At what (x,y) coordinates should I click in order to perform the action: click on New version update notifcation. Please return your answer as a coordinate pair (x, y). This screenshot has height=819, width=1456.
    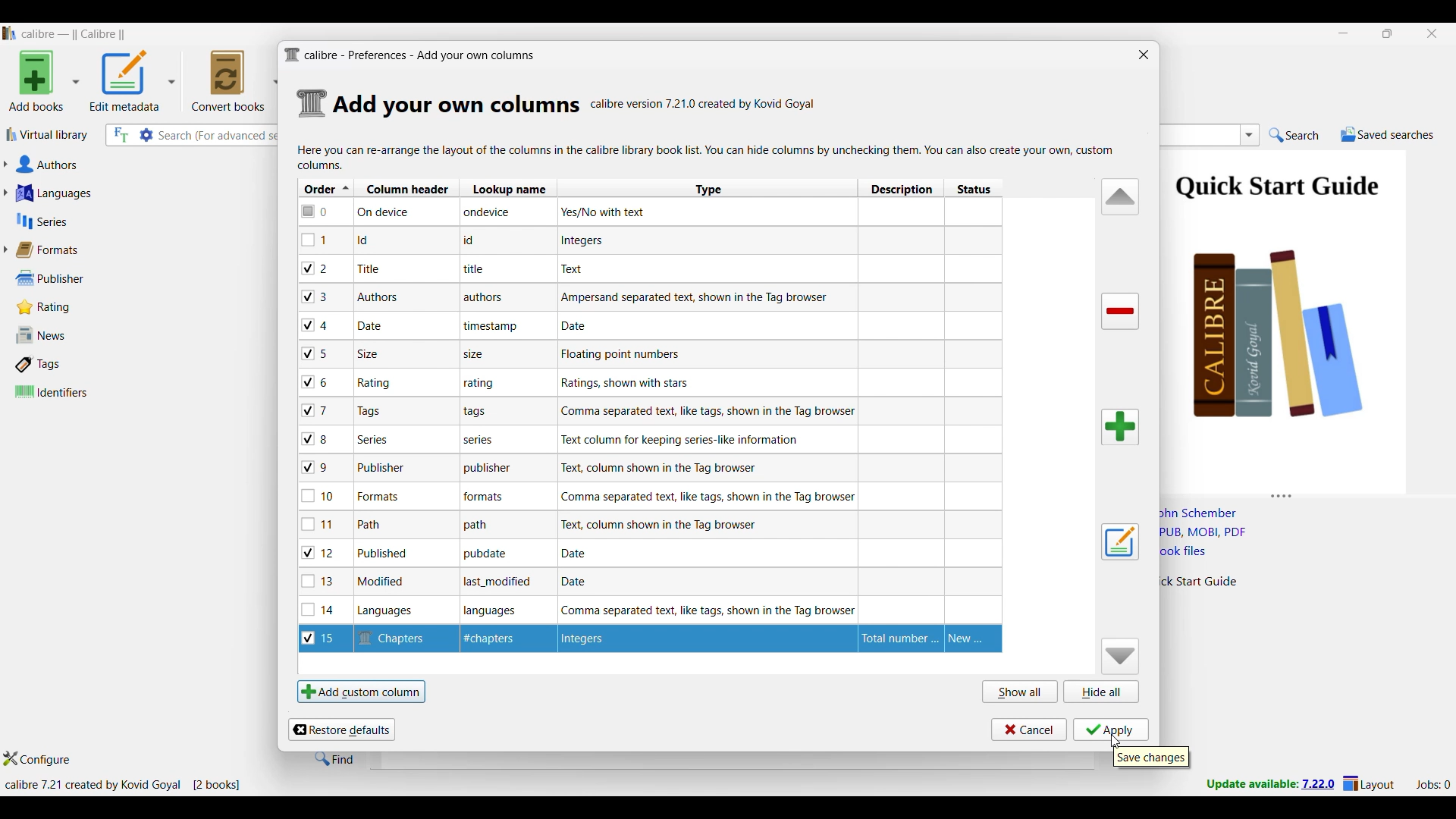
    Looking at the image, I should click on (1270, 783).